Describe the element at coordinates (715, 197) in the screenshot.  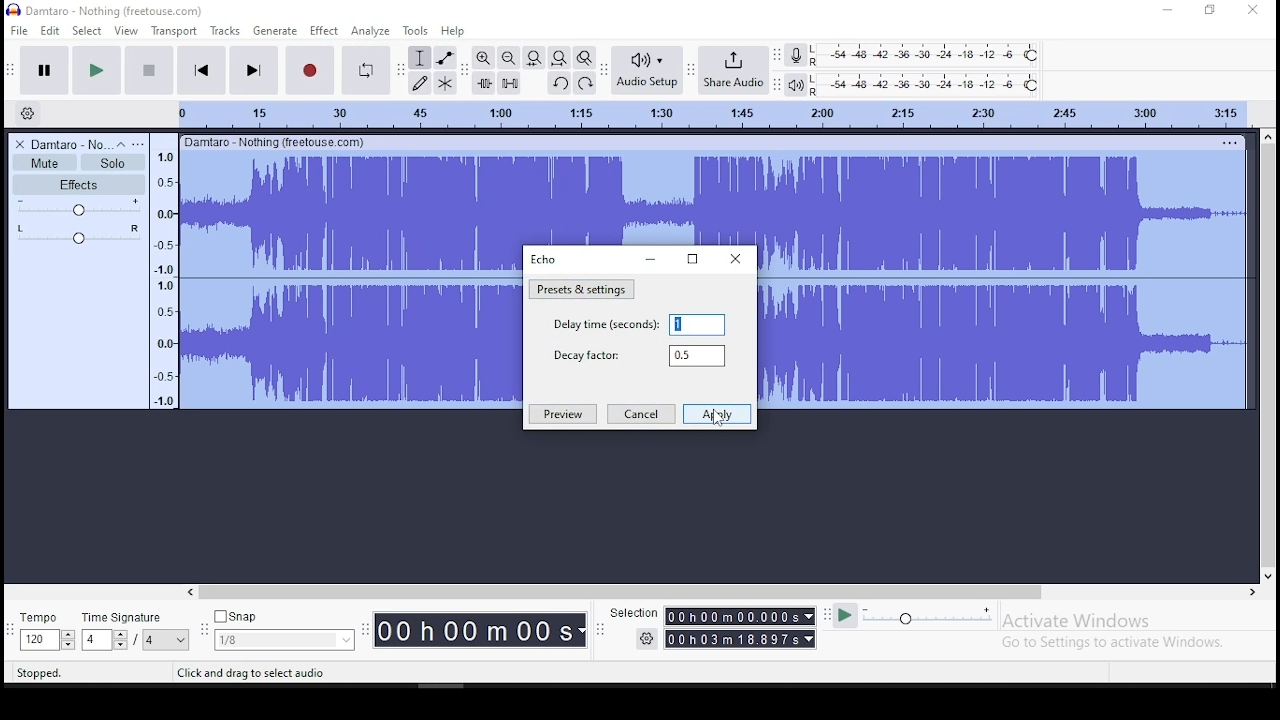
I see `audio track` at that location.